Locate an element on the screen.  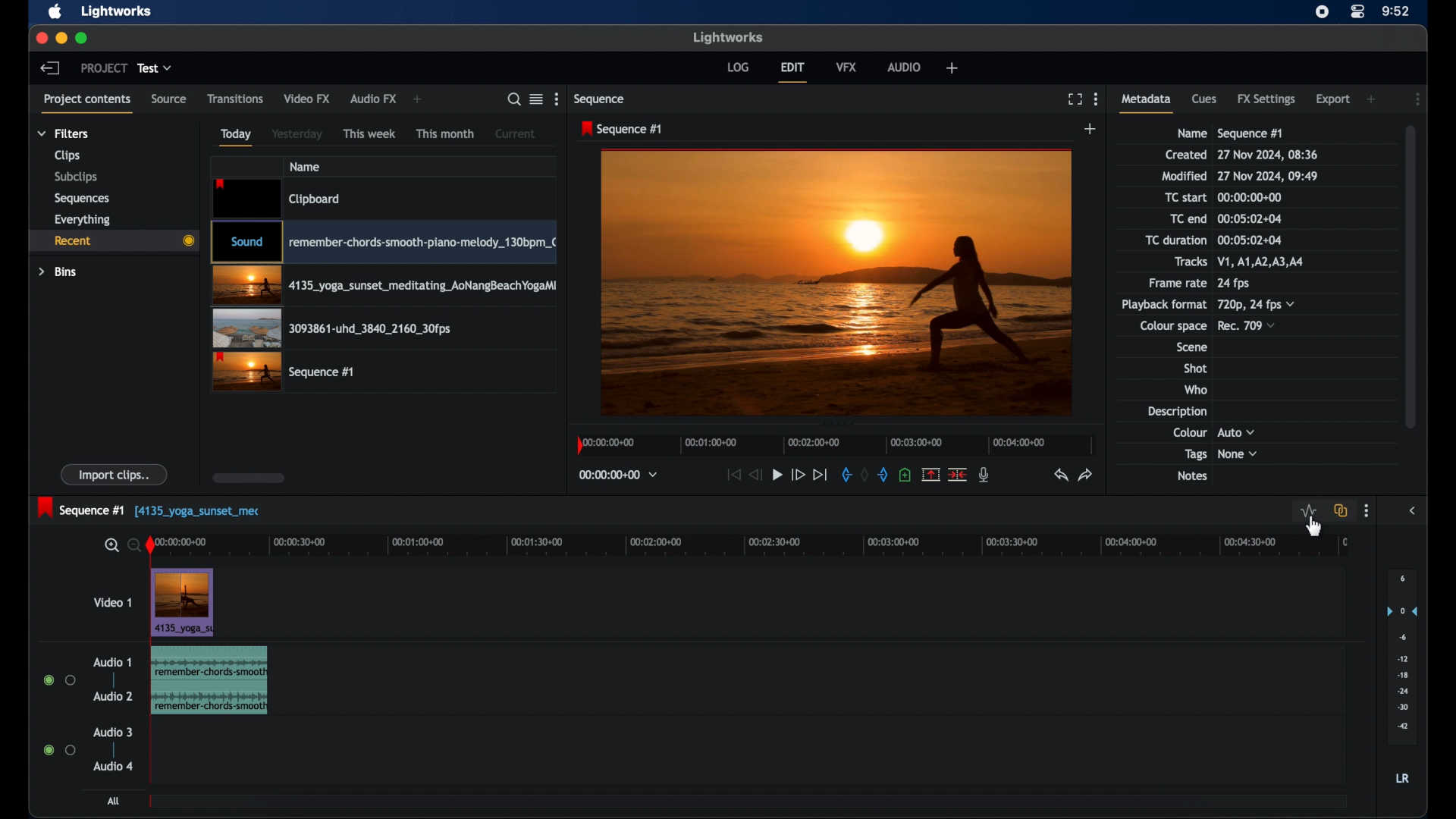
tc end is located at coordinates (1250, 218).